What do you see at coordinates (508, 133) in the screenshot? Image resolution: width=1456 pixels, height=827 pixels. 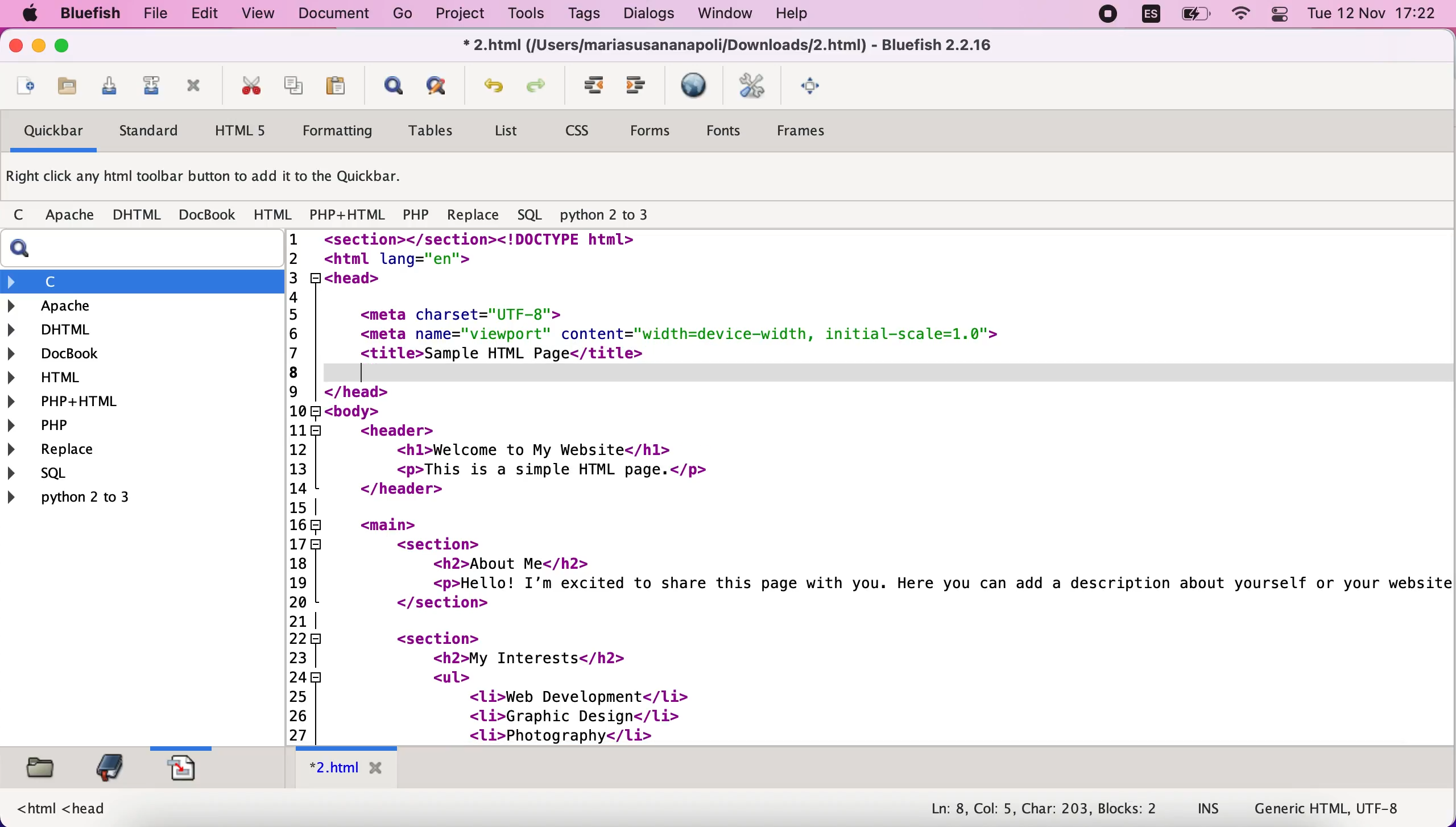 I see `list` at bounding box center [508, 133].